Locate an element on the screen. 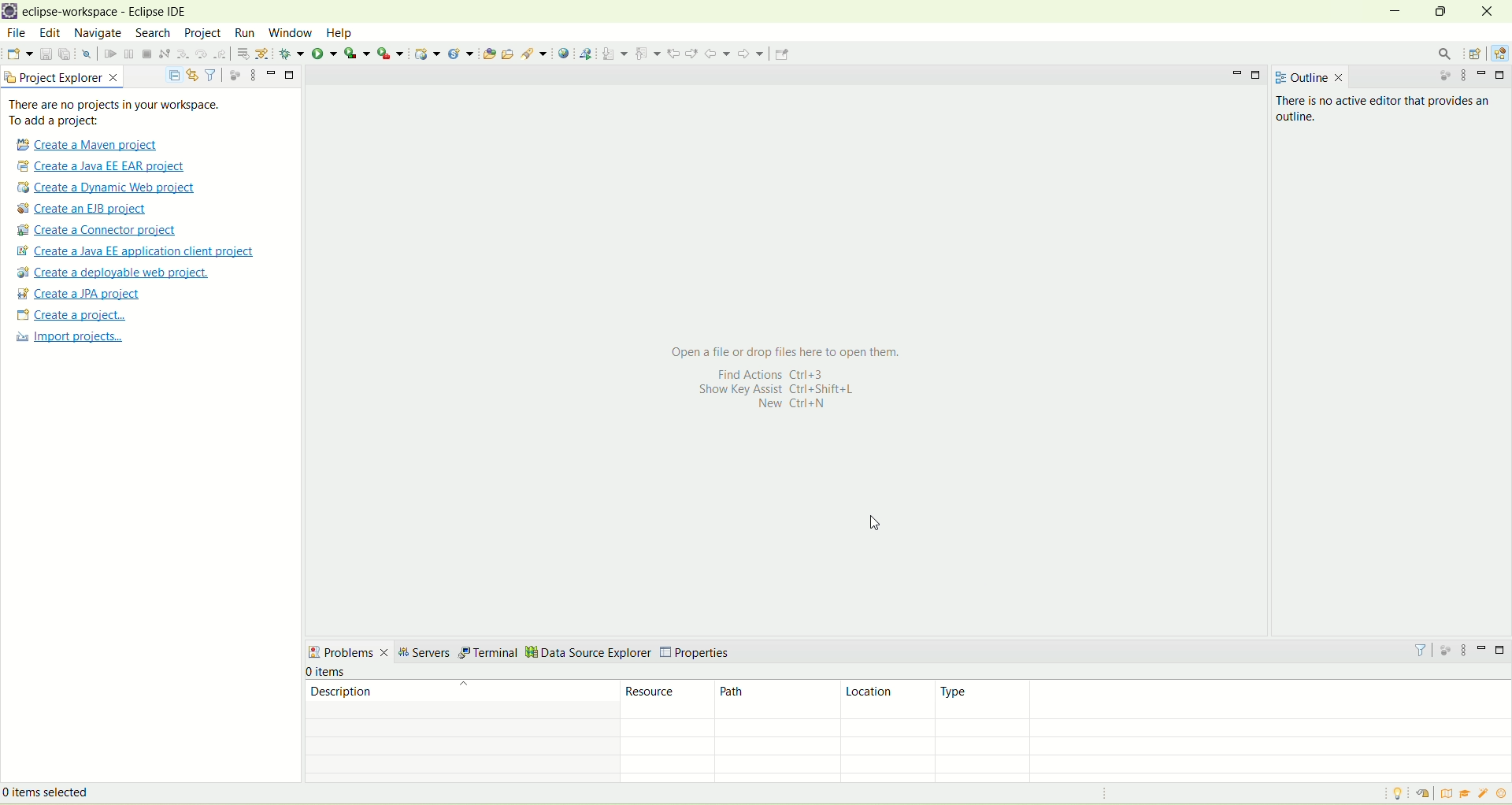 The image size is (1512, 805). previous edit location is located at coordinates (734, 53).